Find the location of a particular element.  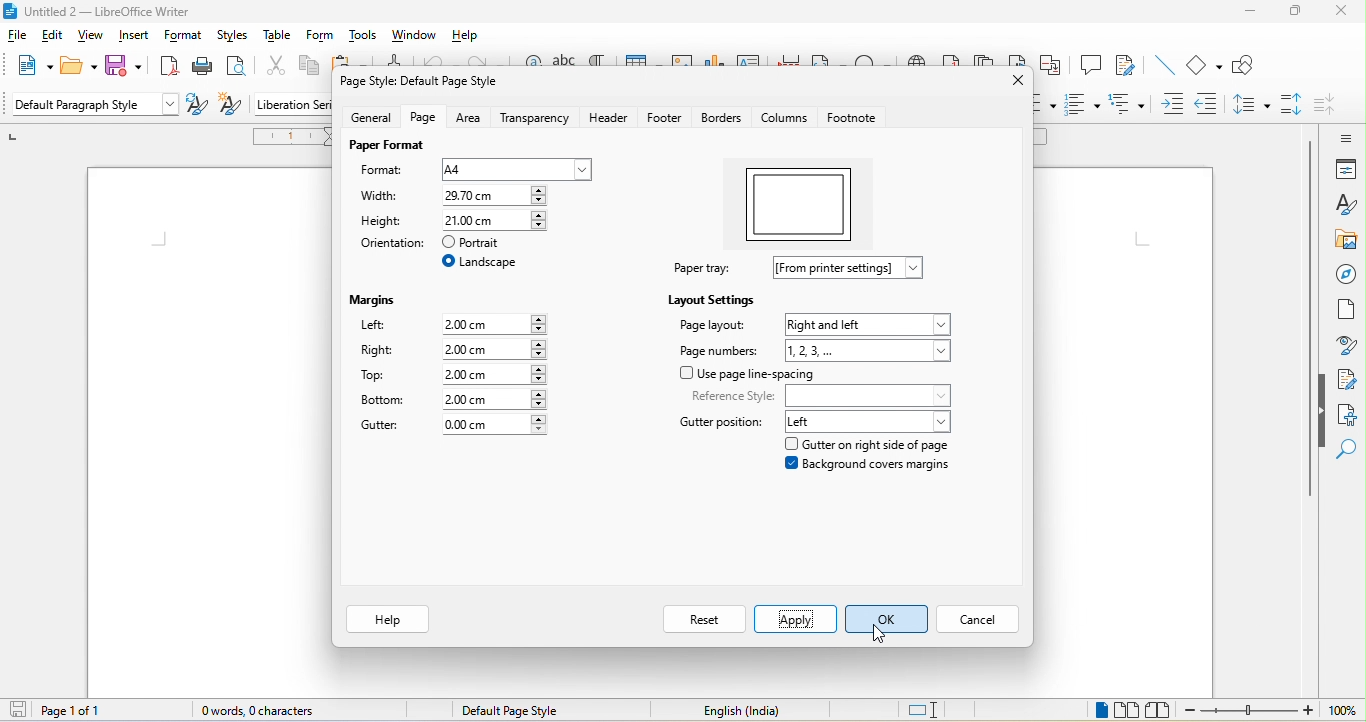

table is located at coordinates (280, 40).